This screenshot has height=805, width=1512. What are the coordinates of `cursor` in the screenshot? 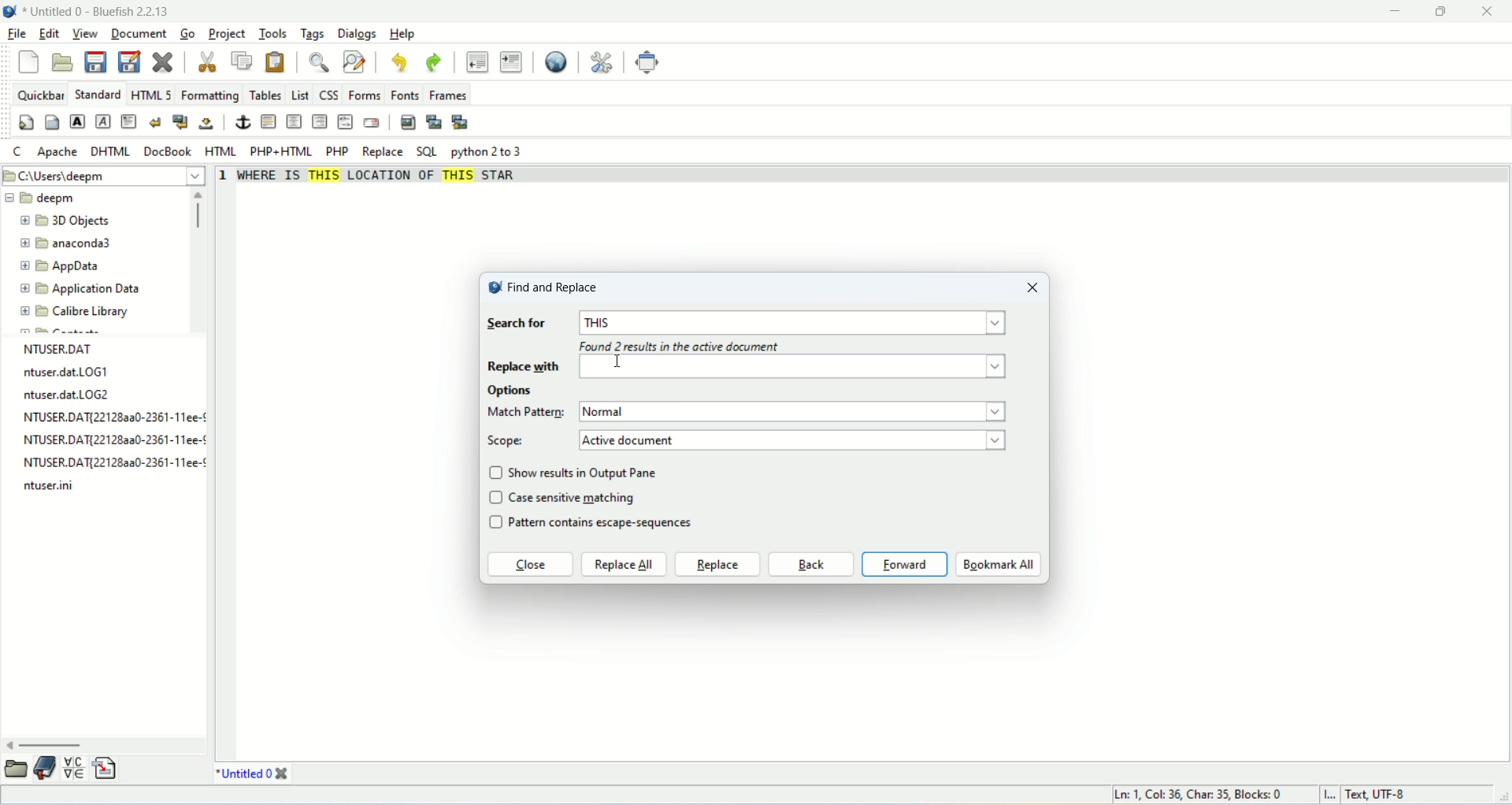 It's located at (614, 362).